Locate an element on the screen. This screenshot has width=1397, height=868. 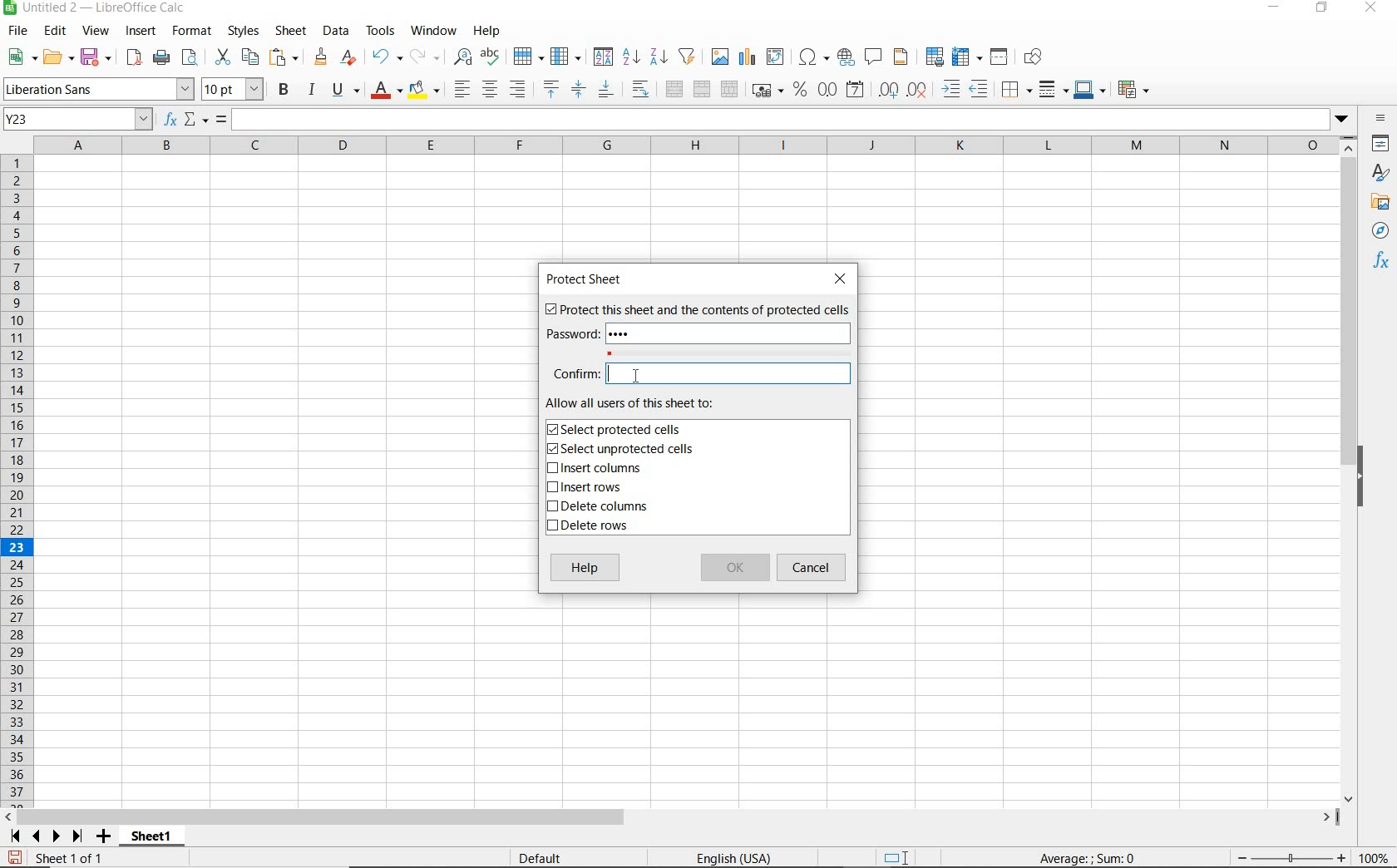
SORT ASCENDING is located at coordinates (632, 57).